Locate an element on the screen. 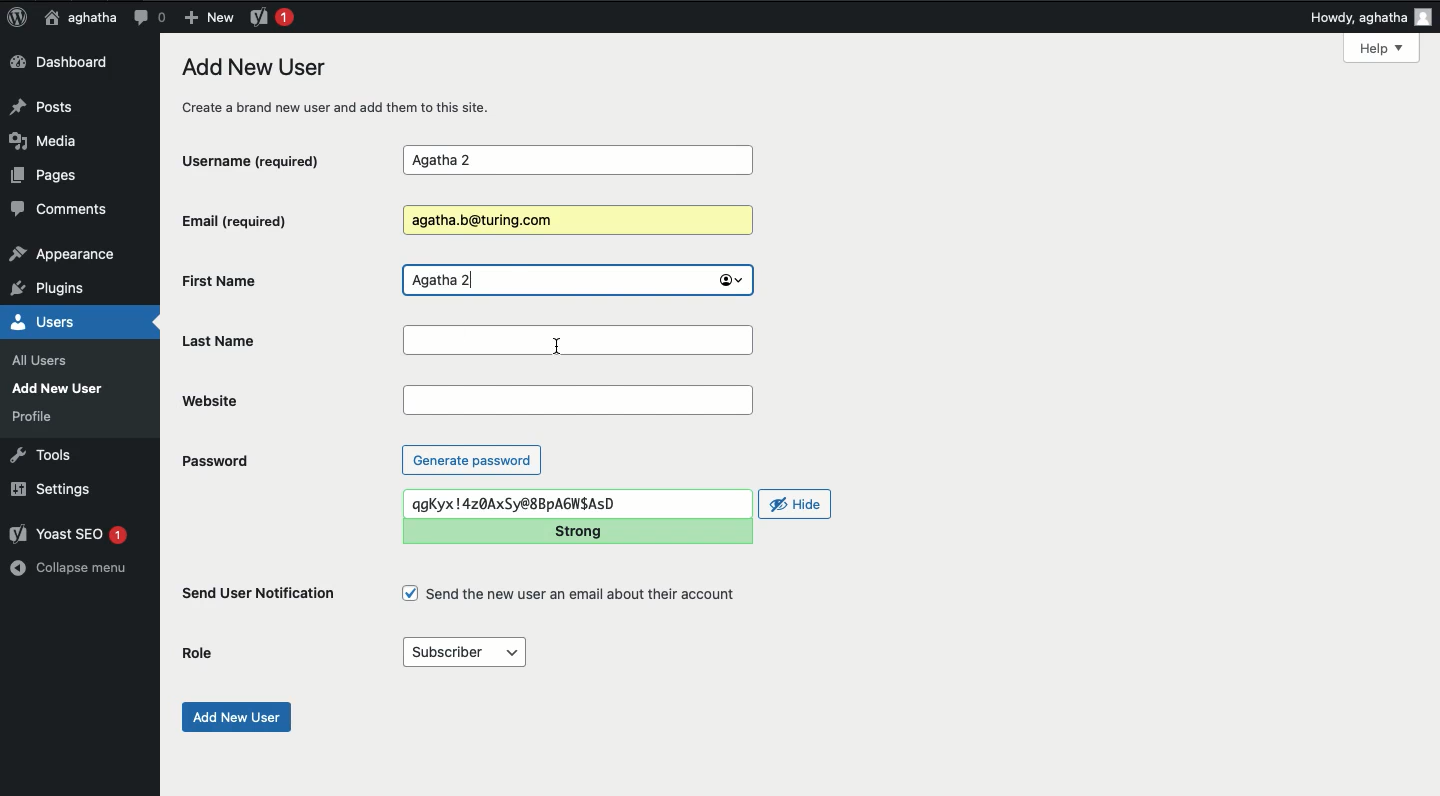  Username (required) is located at coordinates (269, 159).